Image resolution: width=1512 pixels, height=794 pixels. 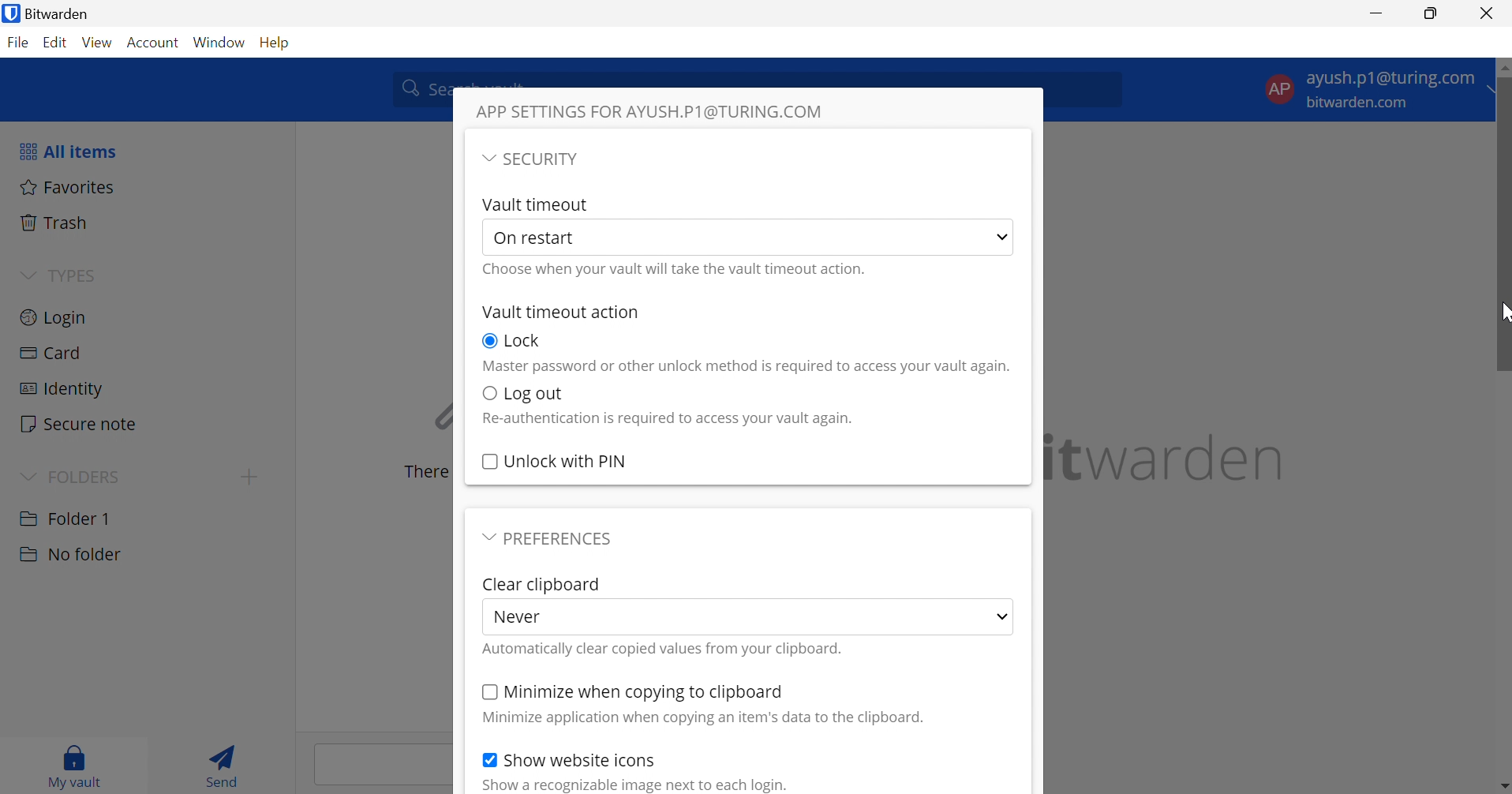 What do you see at coordinates (71, 275) in the screenshot?
I see `TYPES` at bounding box center [71, 275].